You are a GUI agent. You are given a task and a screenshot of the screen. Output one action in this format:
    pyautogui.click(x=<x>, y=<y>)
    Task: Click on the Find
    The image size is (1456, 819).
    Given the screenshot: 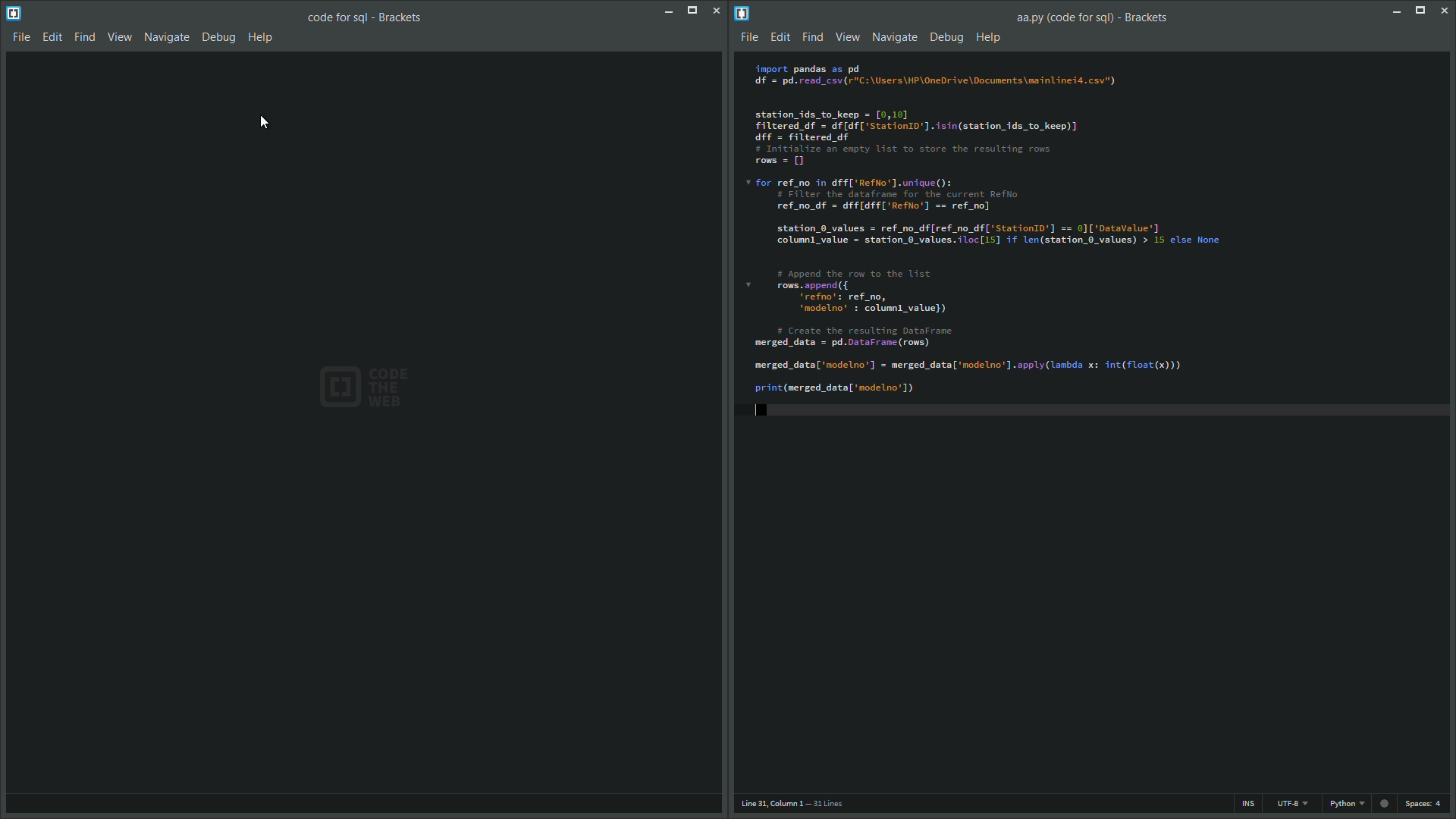 What is the action you would take?
    pyautogui.click(x=86, y=36)
    